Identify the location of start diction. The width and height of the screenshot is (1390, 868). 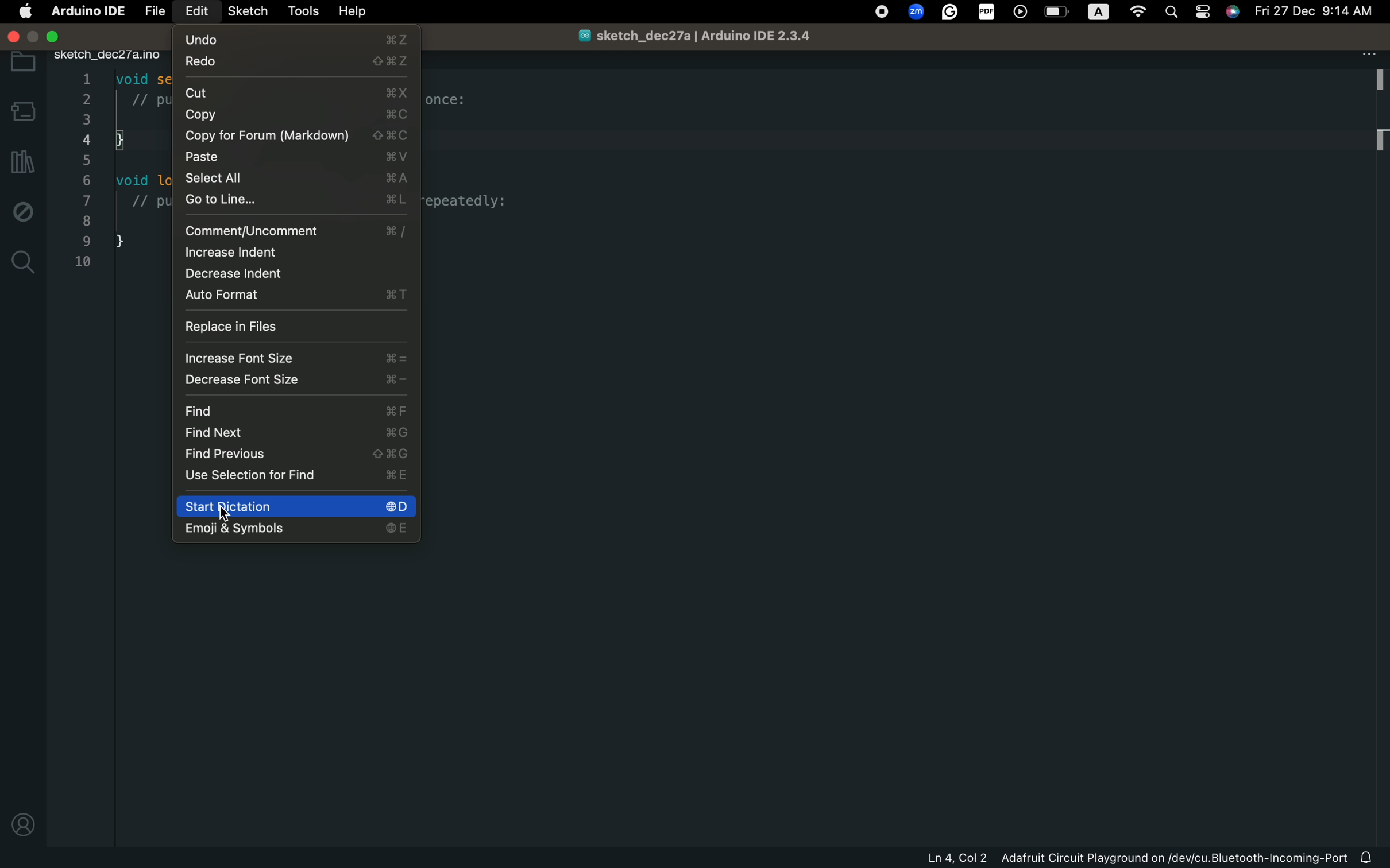
(297, 505).